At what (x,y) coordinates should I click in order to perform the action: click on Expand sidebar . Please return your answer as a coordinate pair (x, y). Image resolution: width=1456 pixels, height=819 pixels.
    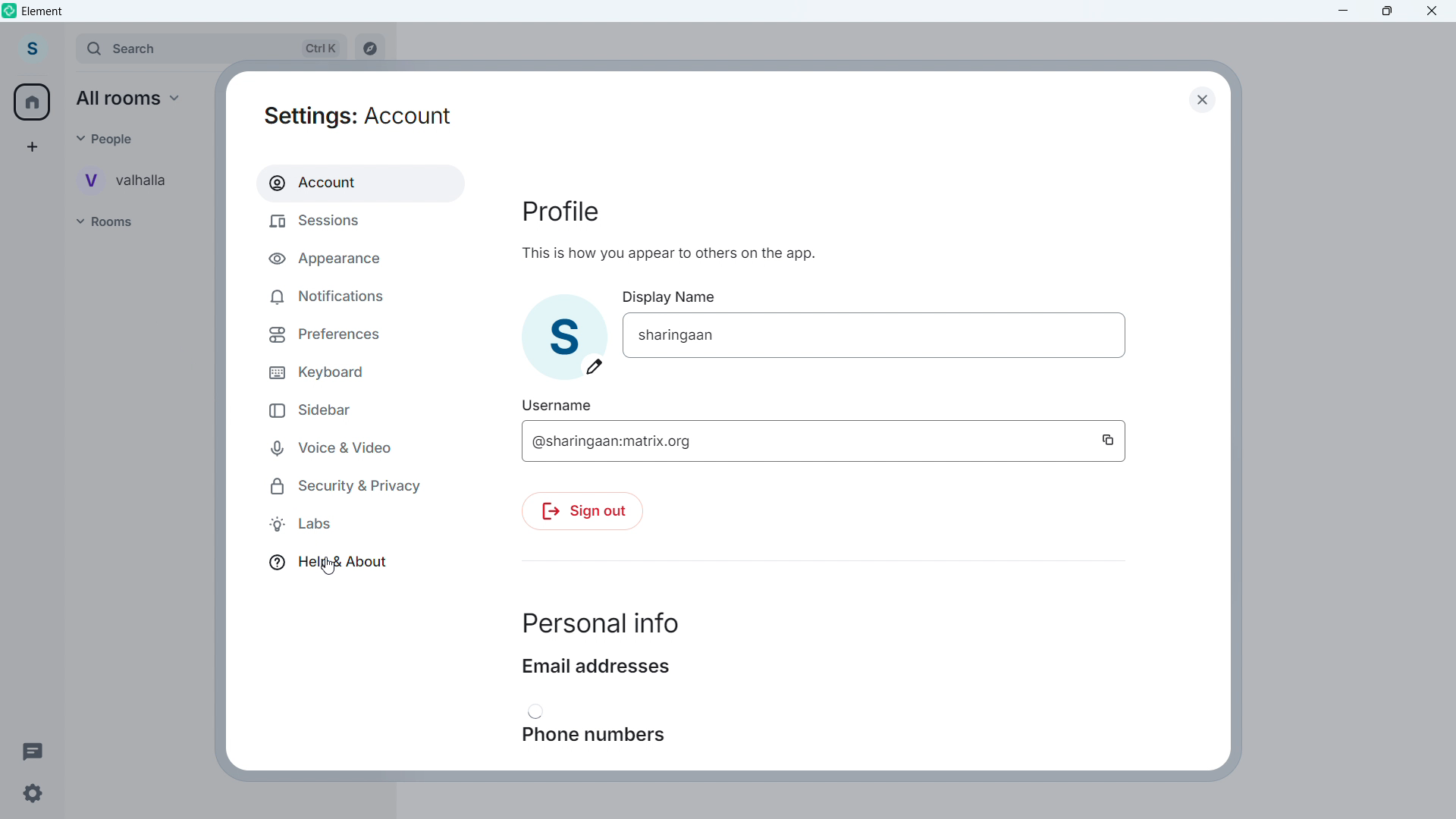
    Looking at the image, I should click on (64, 50).